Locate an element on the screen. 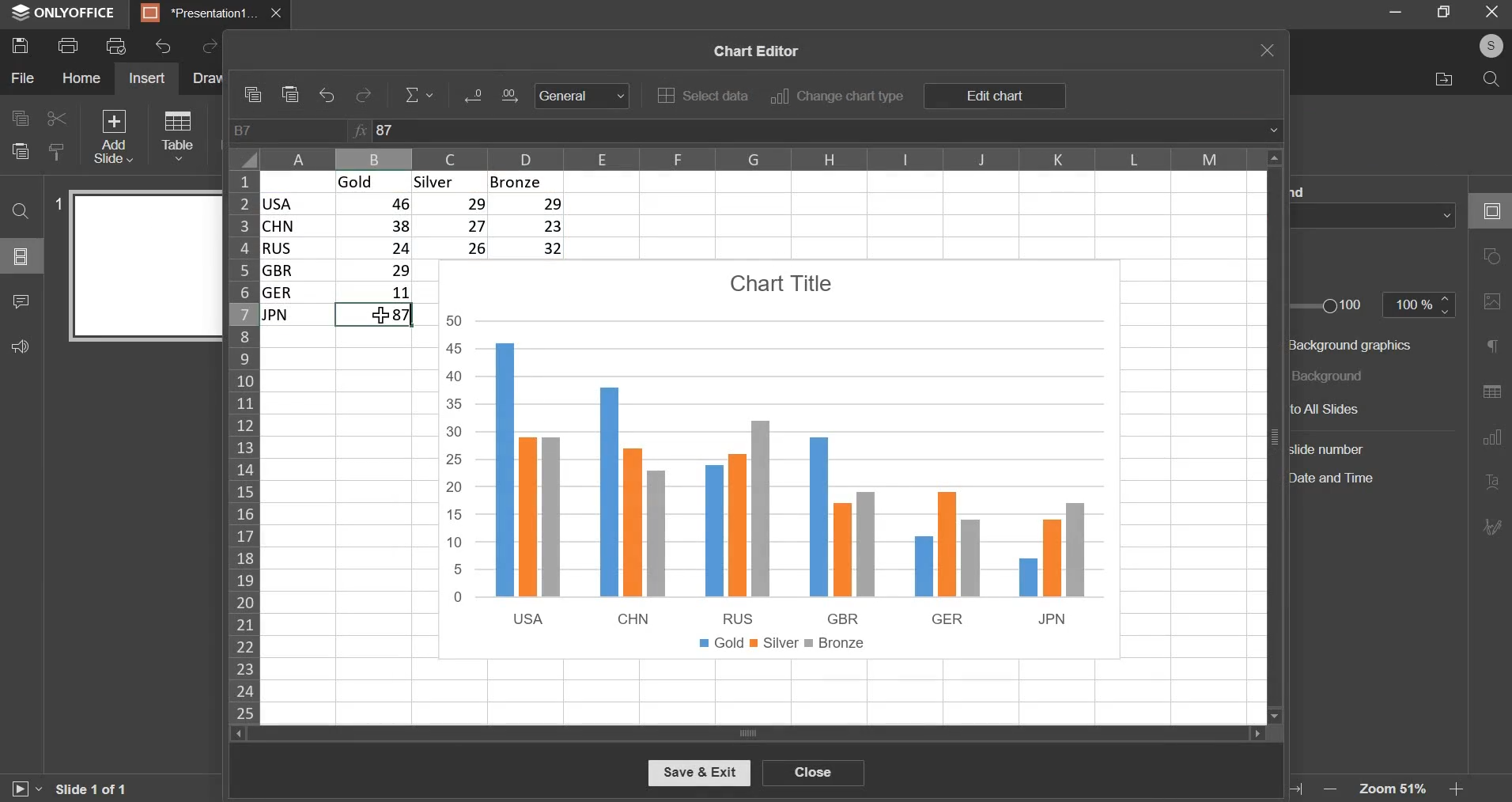 The image size is (1512, 802). draw is located at coordinates (209, 78).